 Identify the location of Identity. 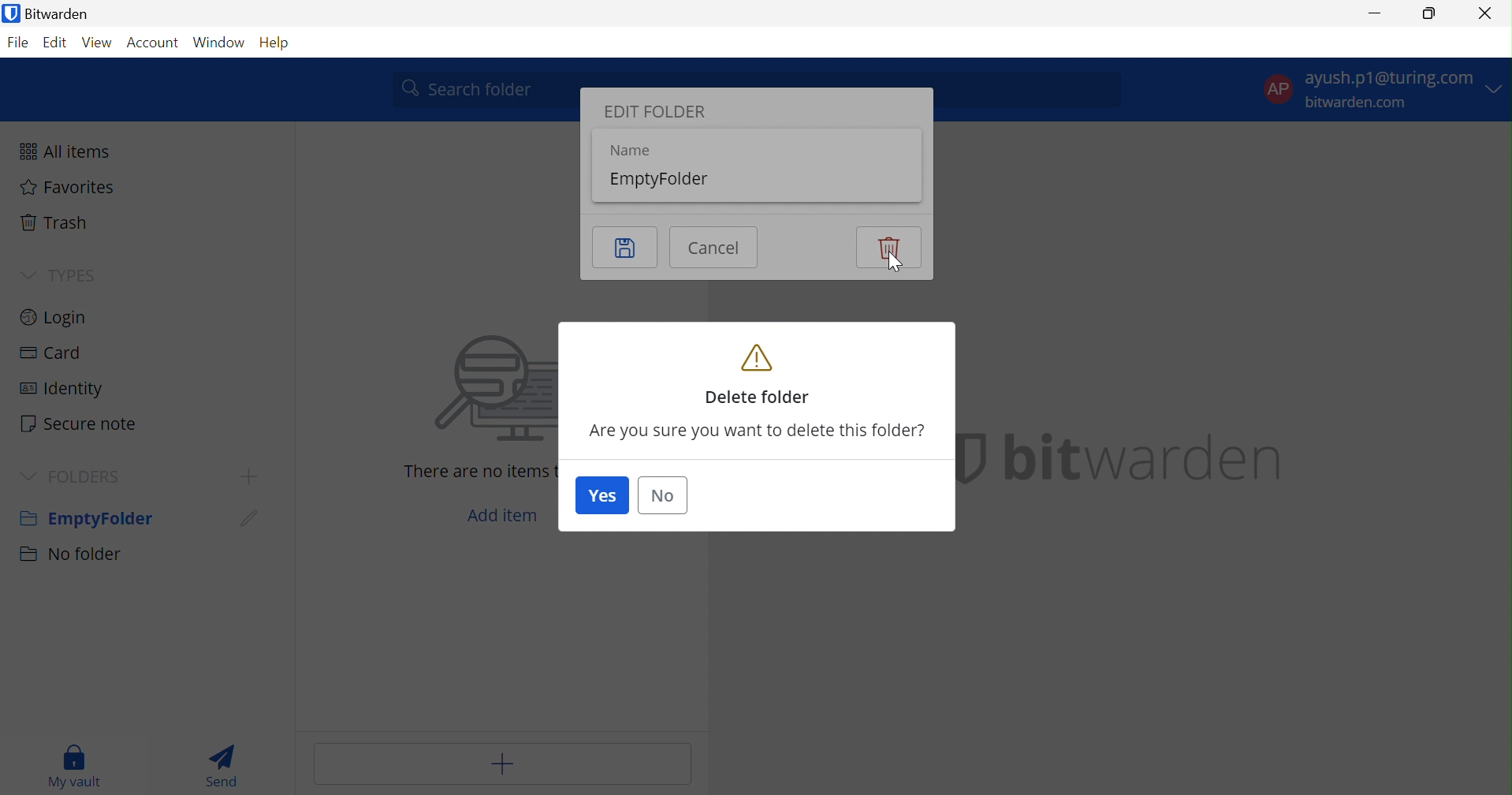
(63, 392).